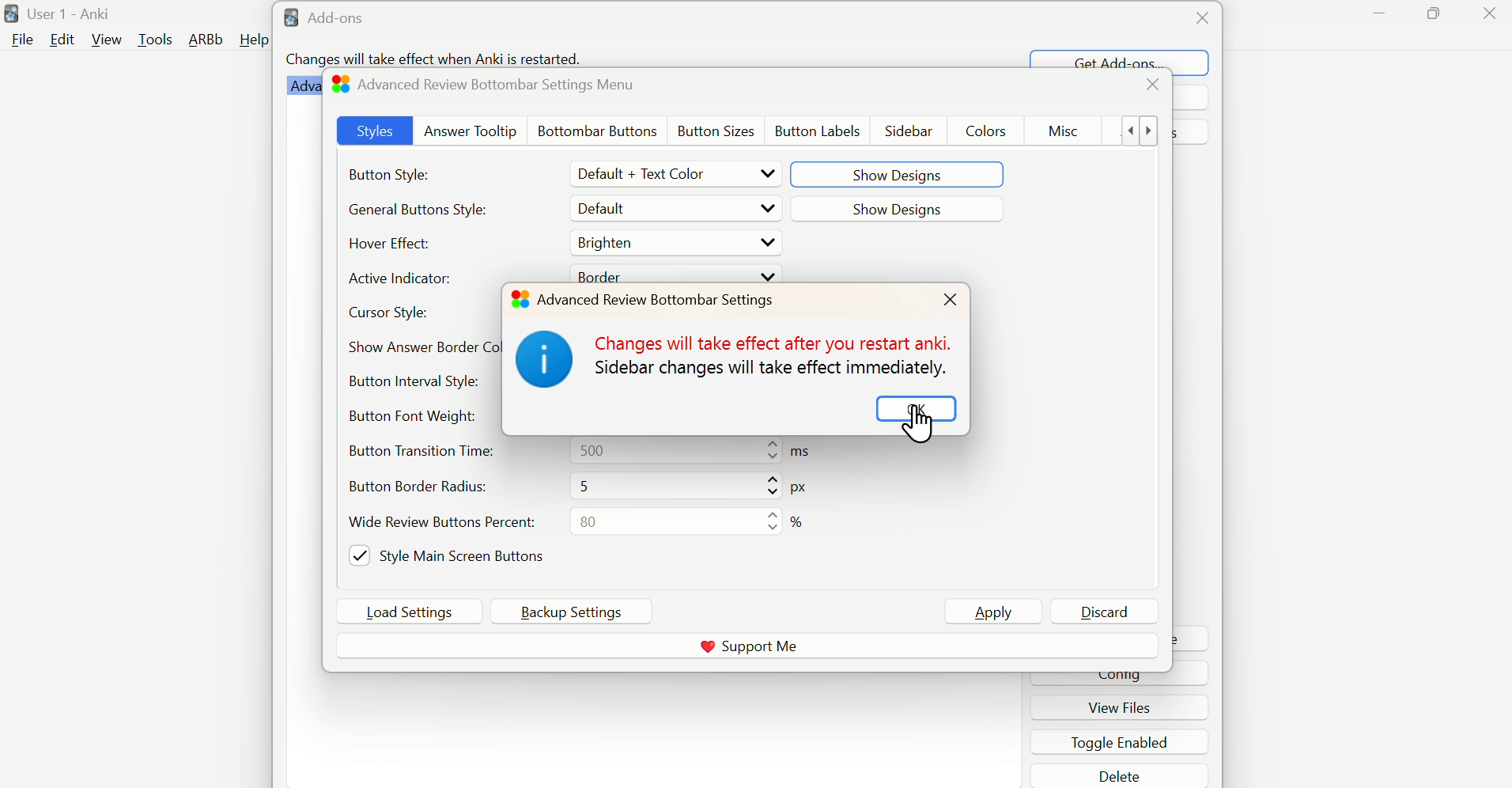 The image size is (1512, 788). What do you see at coordinates (990, 612) in the screenshot?
I see `Apply` at bounding box center [990, 612].